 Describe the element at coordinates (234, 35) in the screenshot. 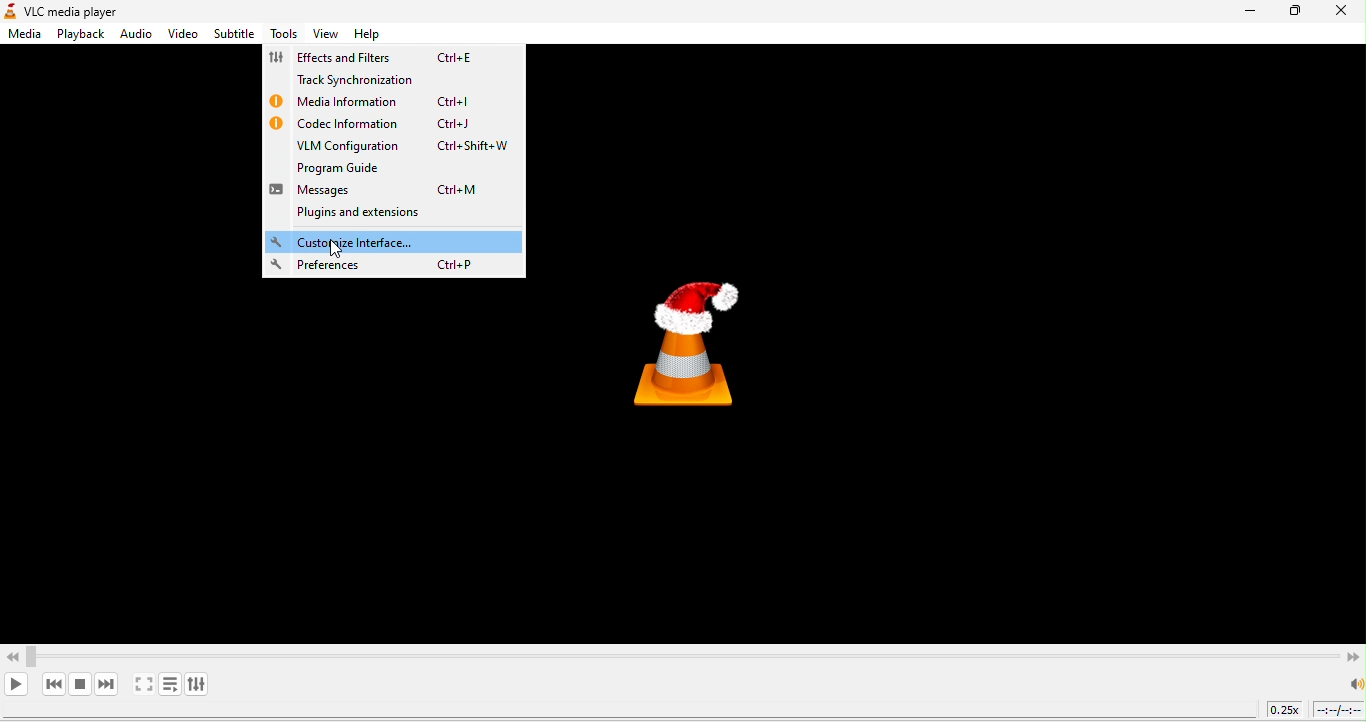

I see `subtitle` at that location.